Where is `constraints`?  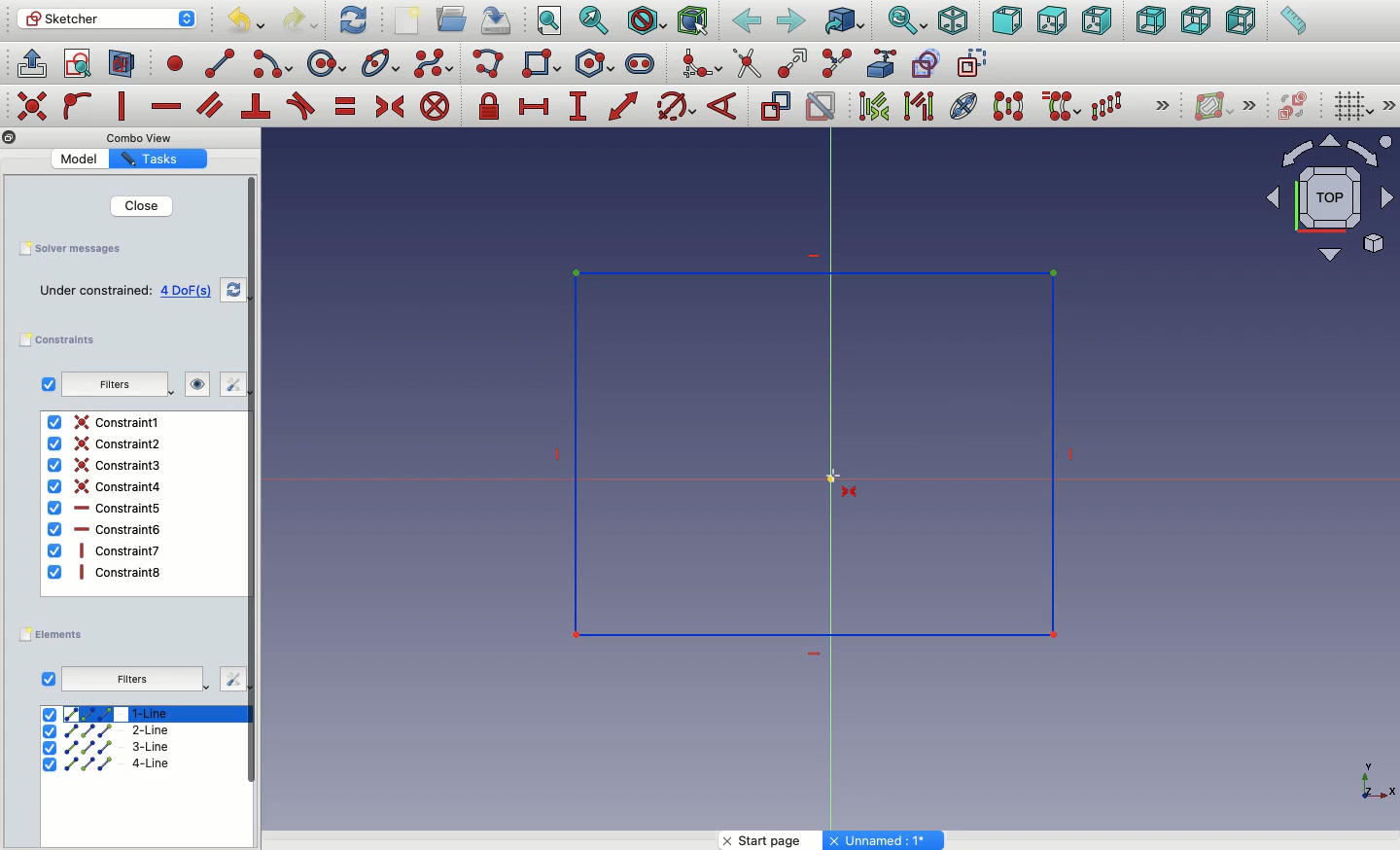
constraints is located at coordinates (62, 340).